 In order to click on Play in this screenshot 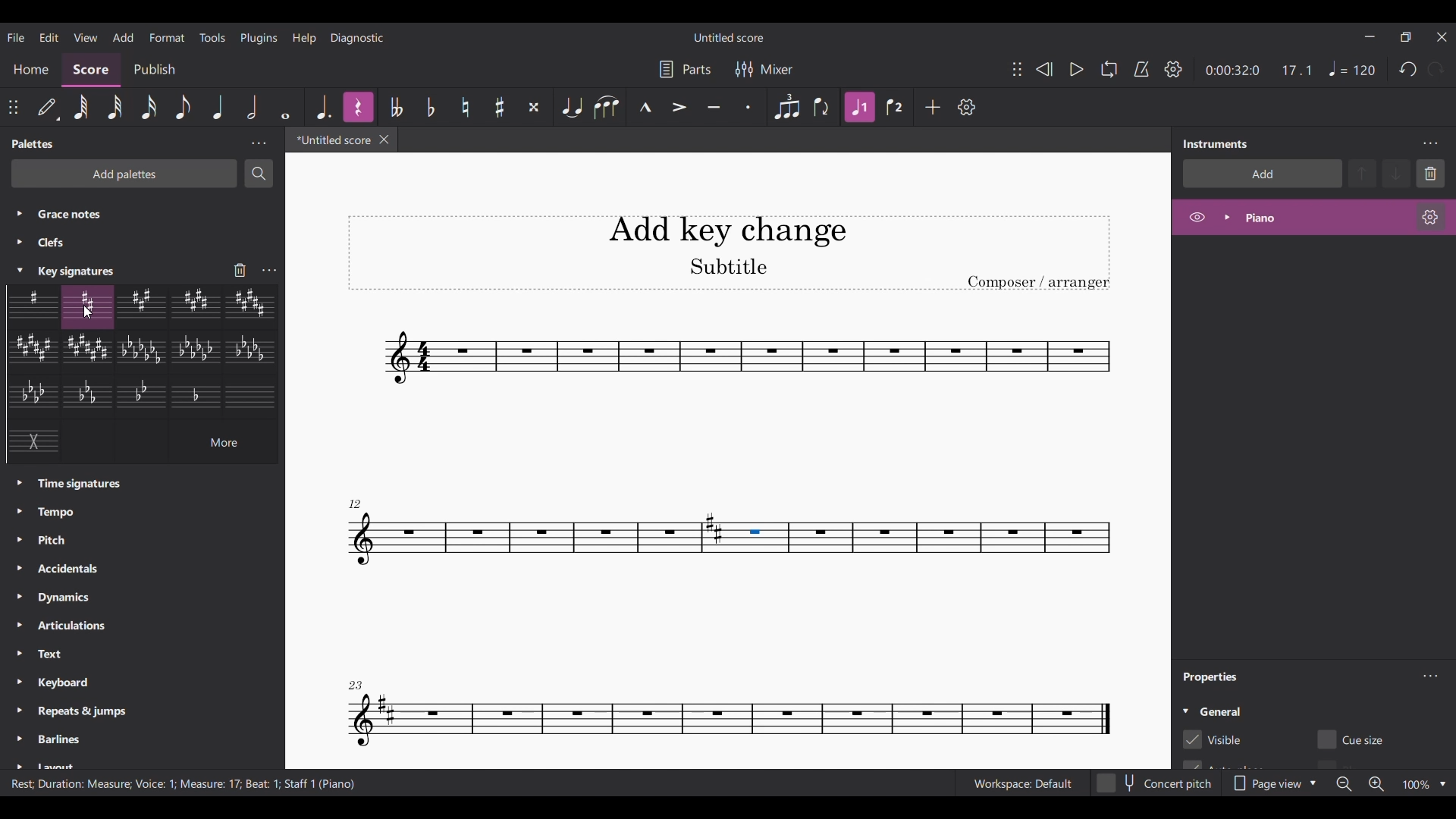, I will do `click(1076, 69)`.